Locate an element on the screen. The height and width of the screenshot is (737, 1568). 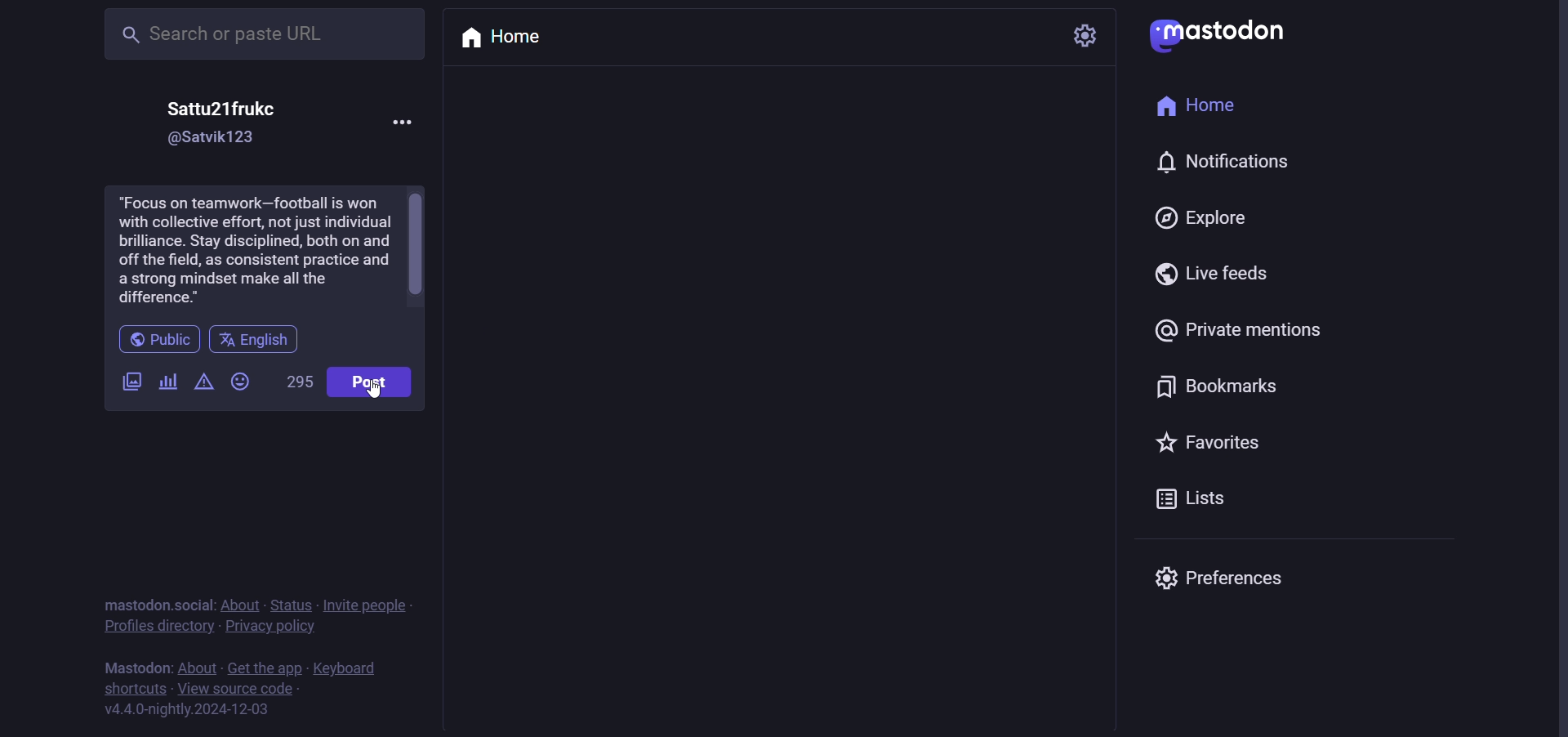
profiles is located at coordinates (154, 628).